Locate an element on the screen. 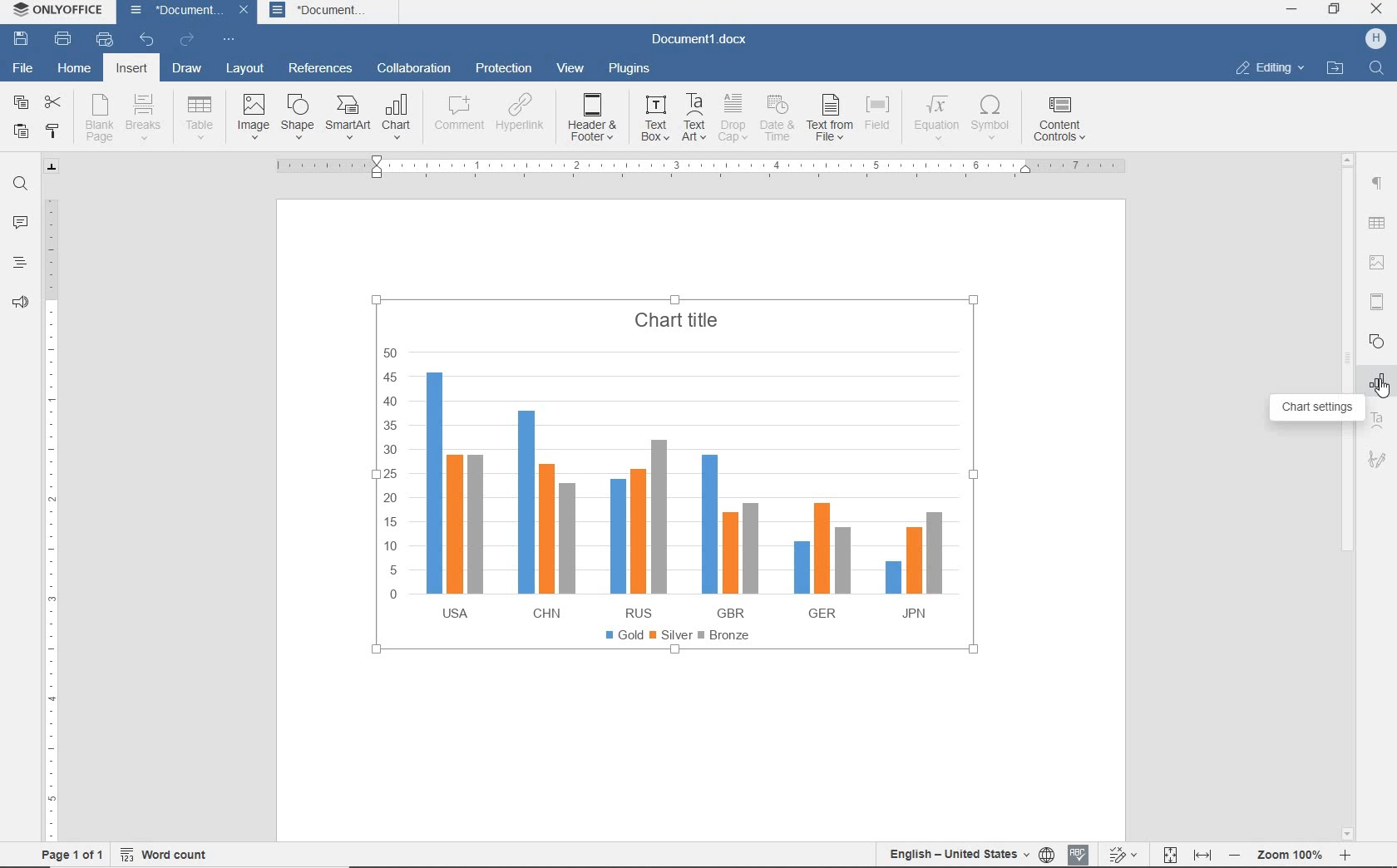  header & footer is located at coordinates (1376, 301).